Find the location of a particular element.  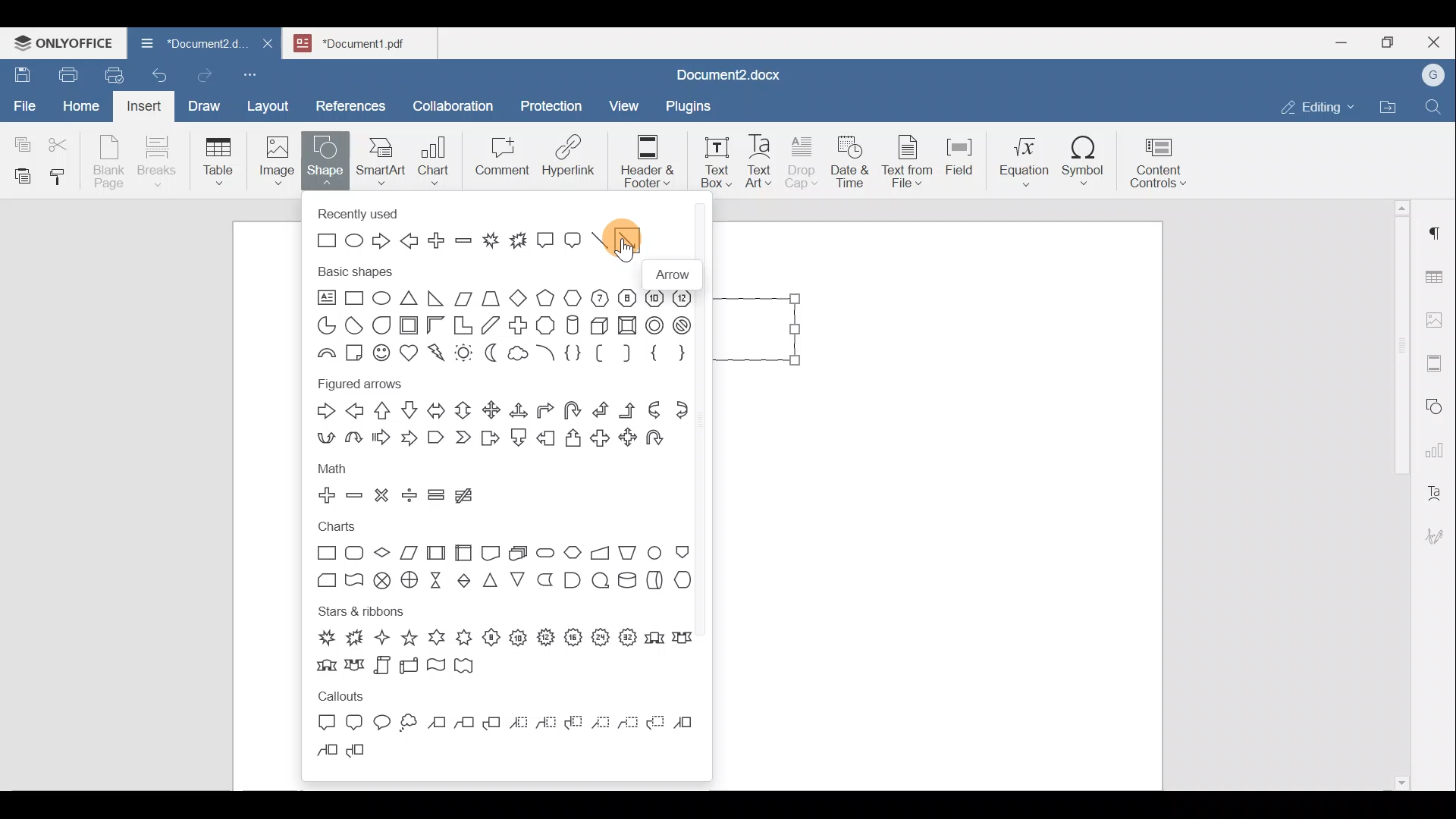

Math shapes is located at coordinates (419, 485).